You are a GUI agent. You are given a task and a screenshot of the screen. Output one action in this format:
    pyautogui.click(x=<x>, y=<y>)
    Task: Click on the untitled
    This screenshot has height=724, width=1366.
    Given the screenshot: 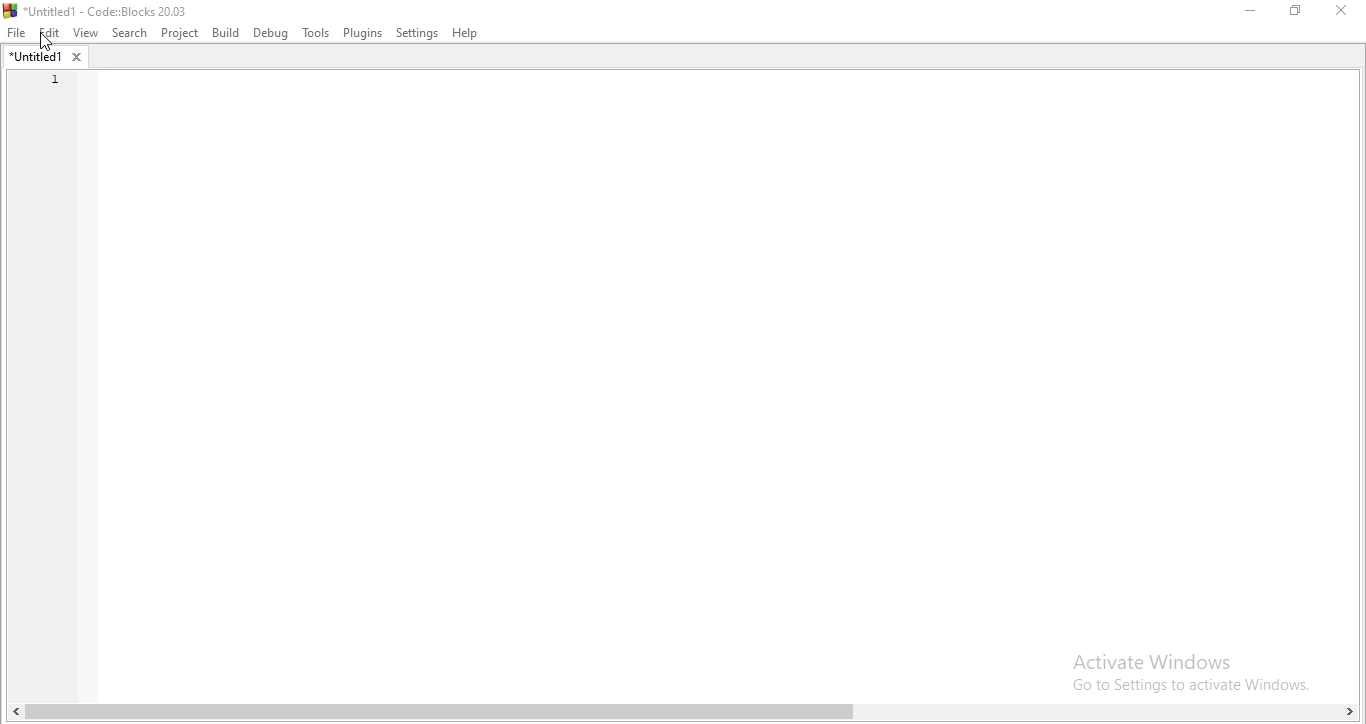 What is the action you would take?
    pyautogui.click(x=44, y=56)
    